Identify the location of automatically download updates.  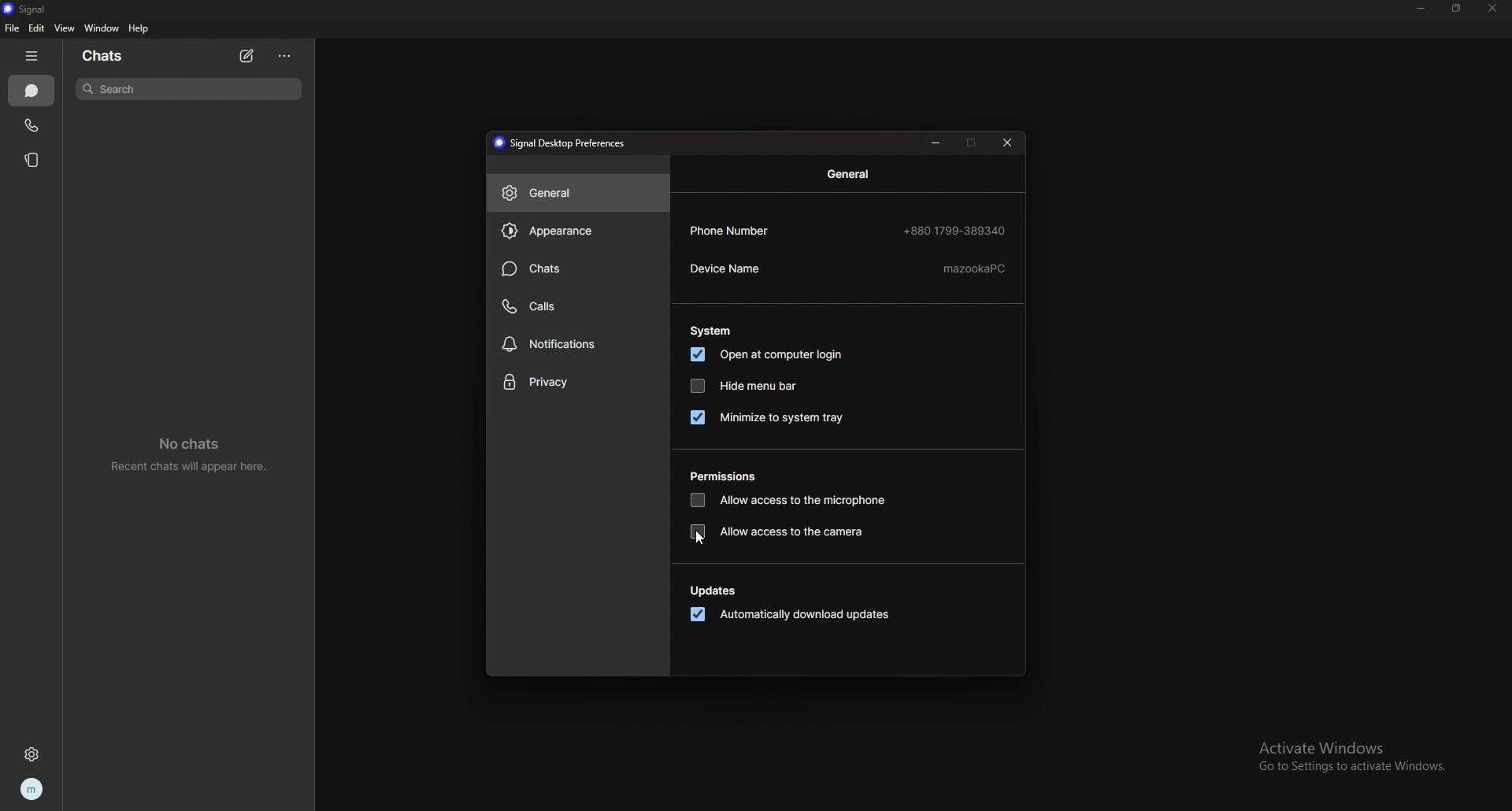
(791, 616).